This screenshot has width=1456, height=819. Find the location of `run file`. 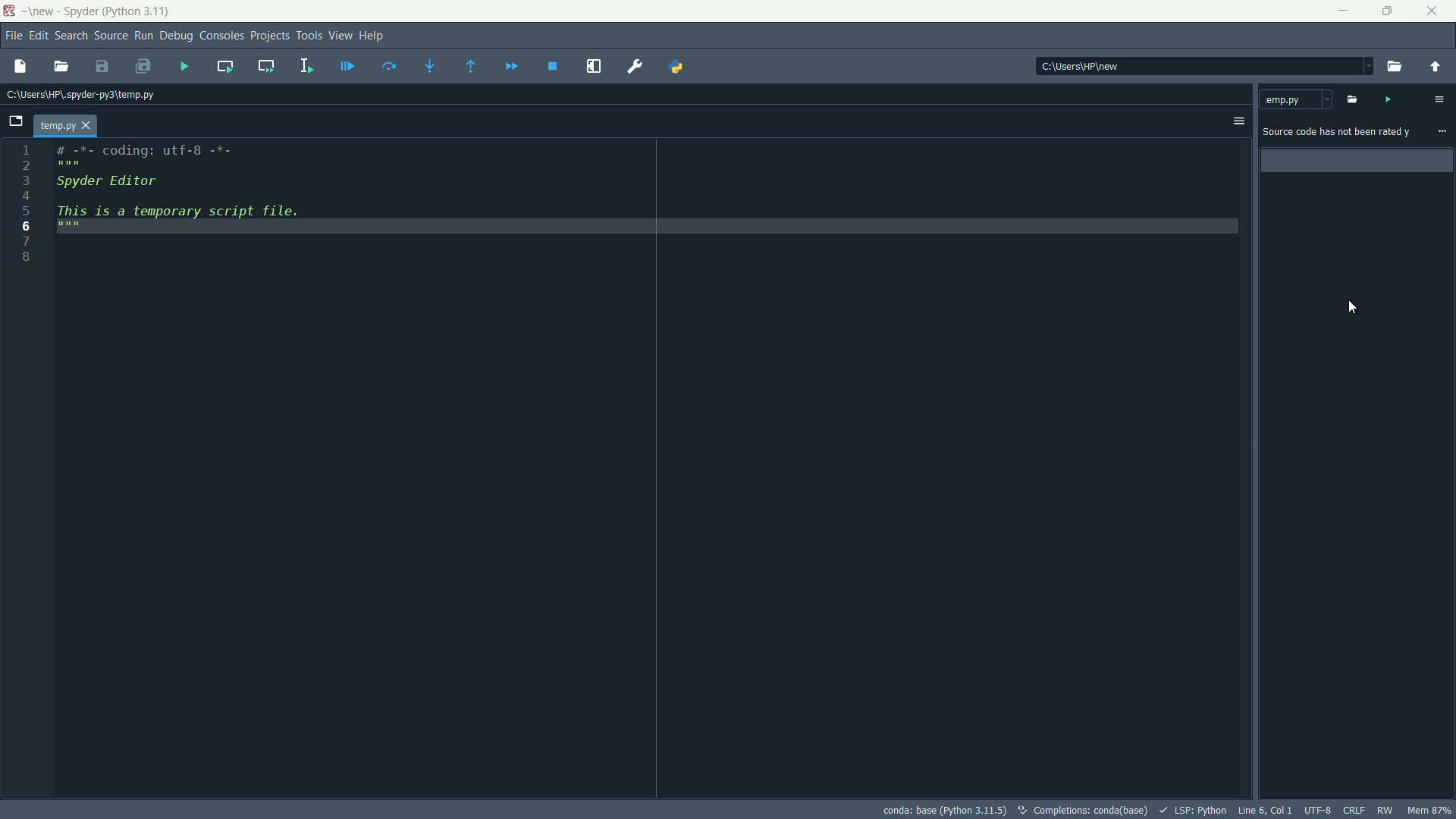

run file is located at coordinates (186, 67).